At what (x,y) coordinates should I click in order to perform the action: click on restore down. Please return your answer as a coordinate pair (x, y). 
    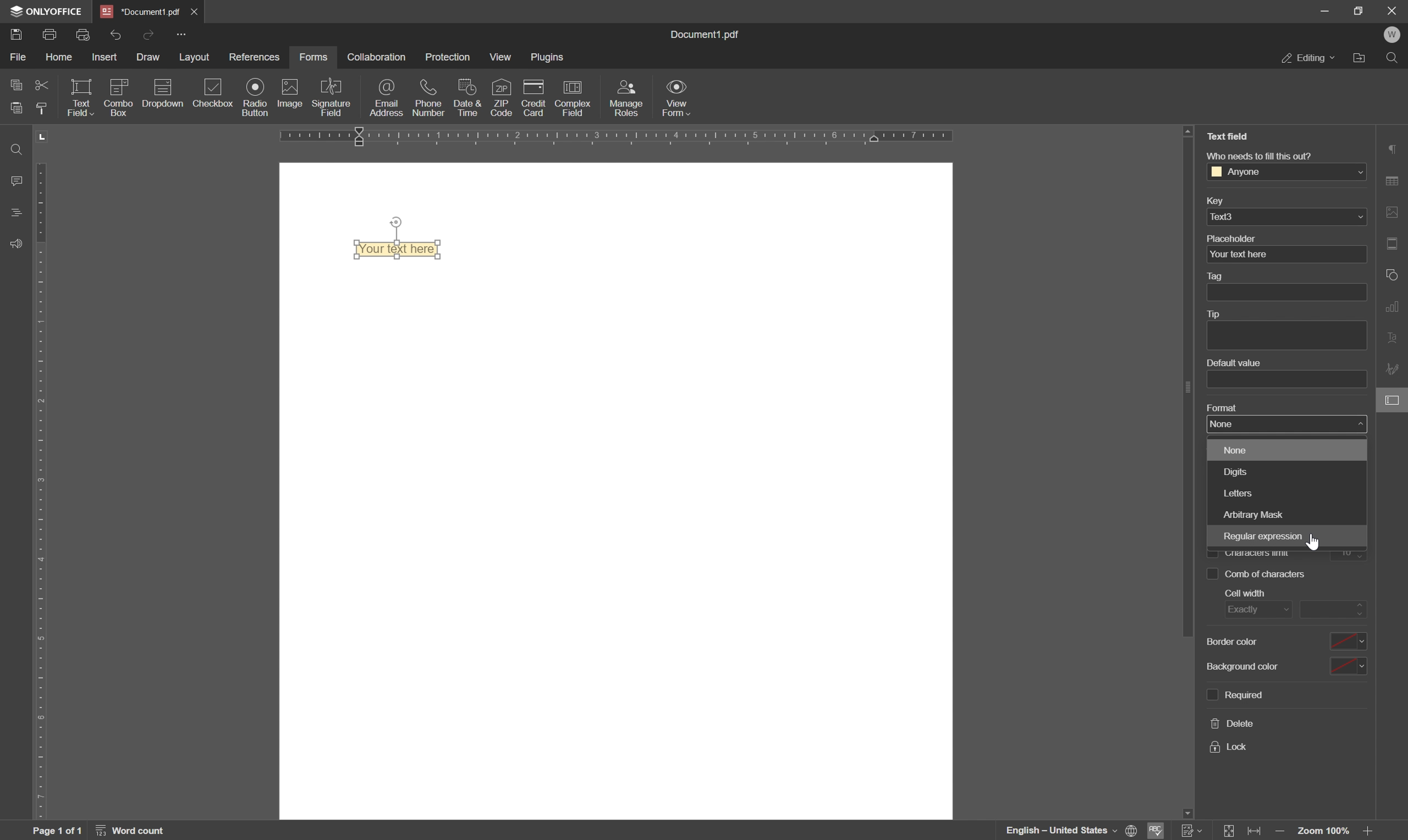
    Looking at the image, I should click on (1358, 10).